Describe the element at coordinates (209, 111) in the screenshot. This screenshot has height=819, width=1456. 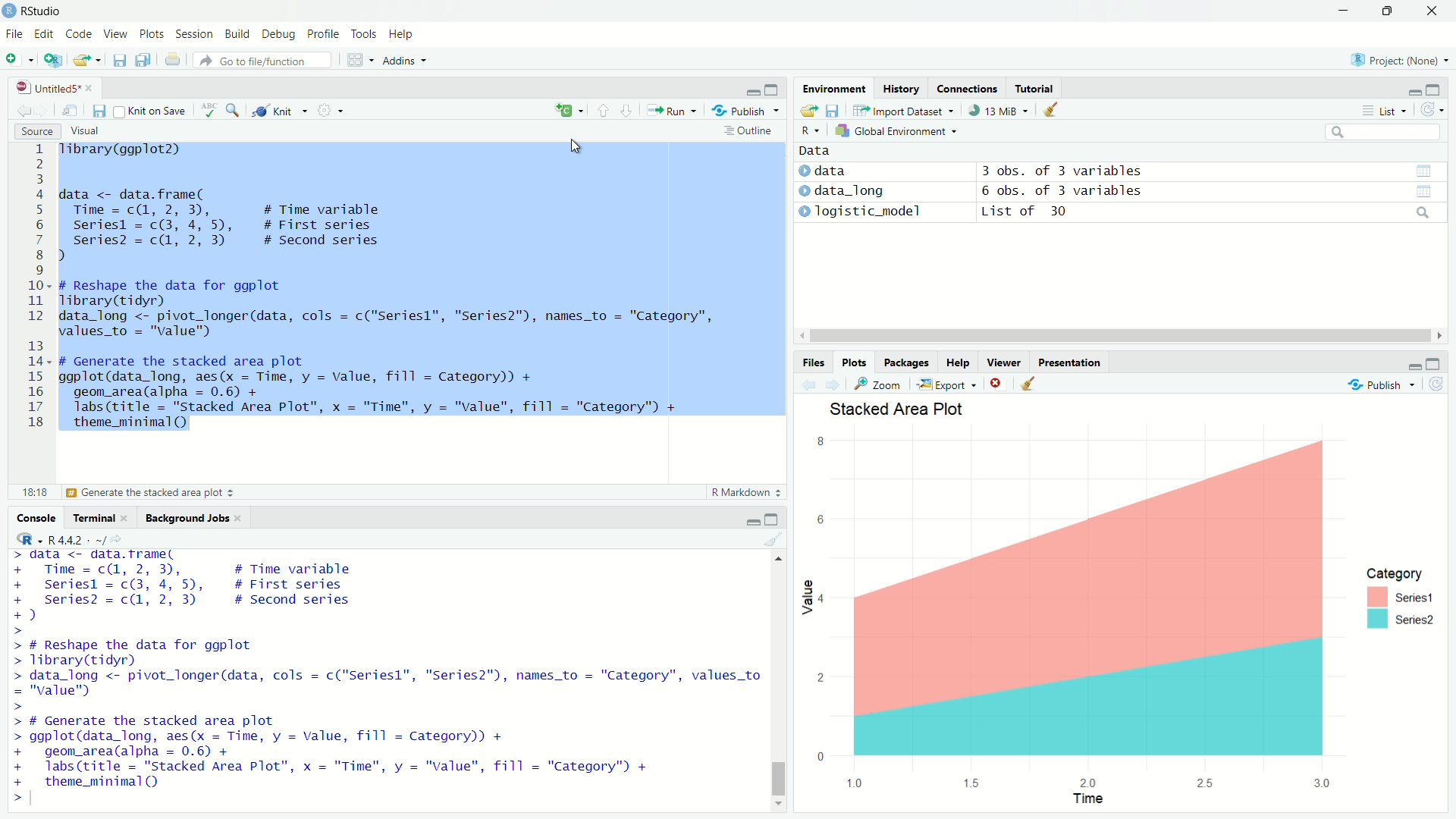
I see `abc` at that location.